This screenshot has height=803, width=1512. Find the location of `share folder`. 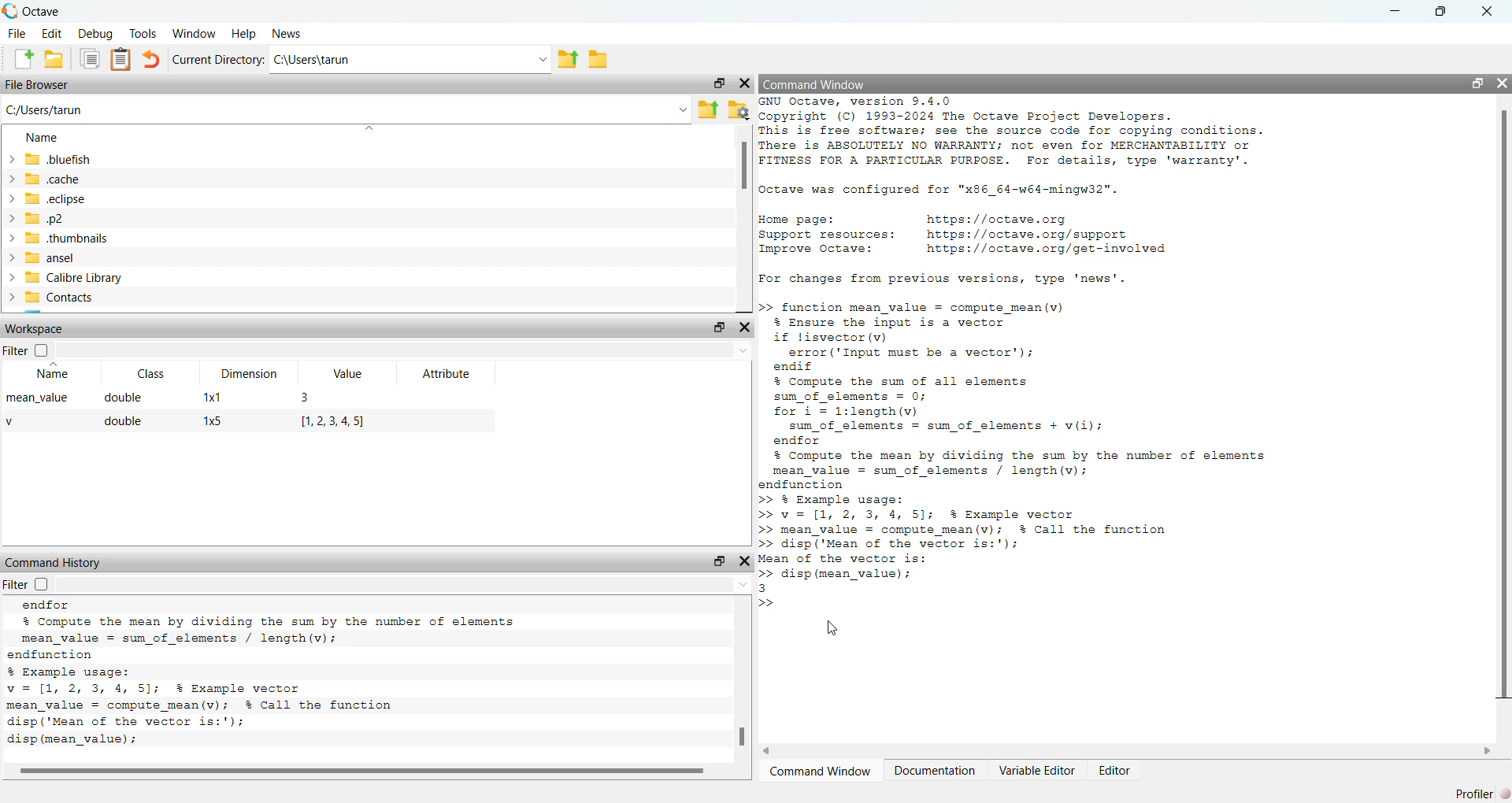

share folder is located at coordinates (708, 110).